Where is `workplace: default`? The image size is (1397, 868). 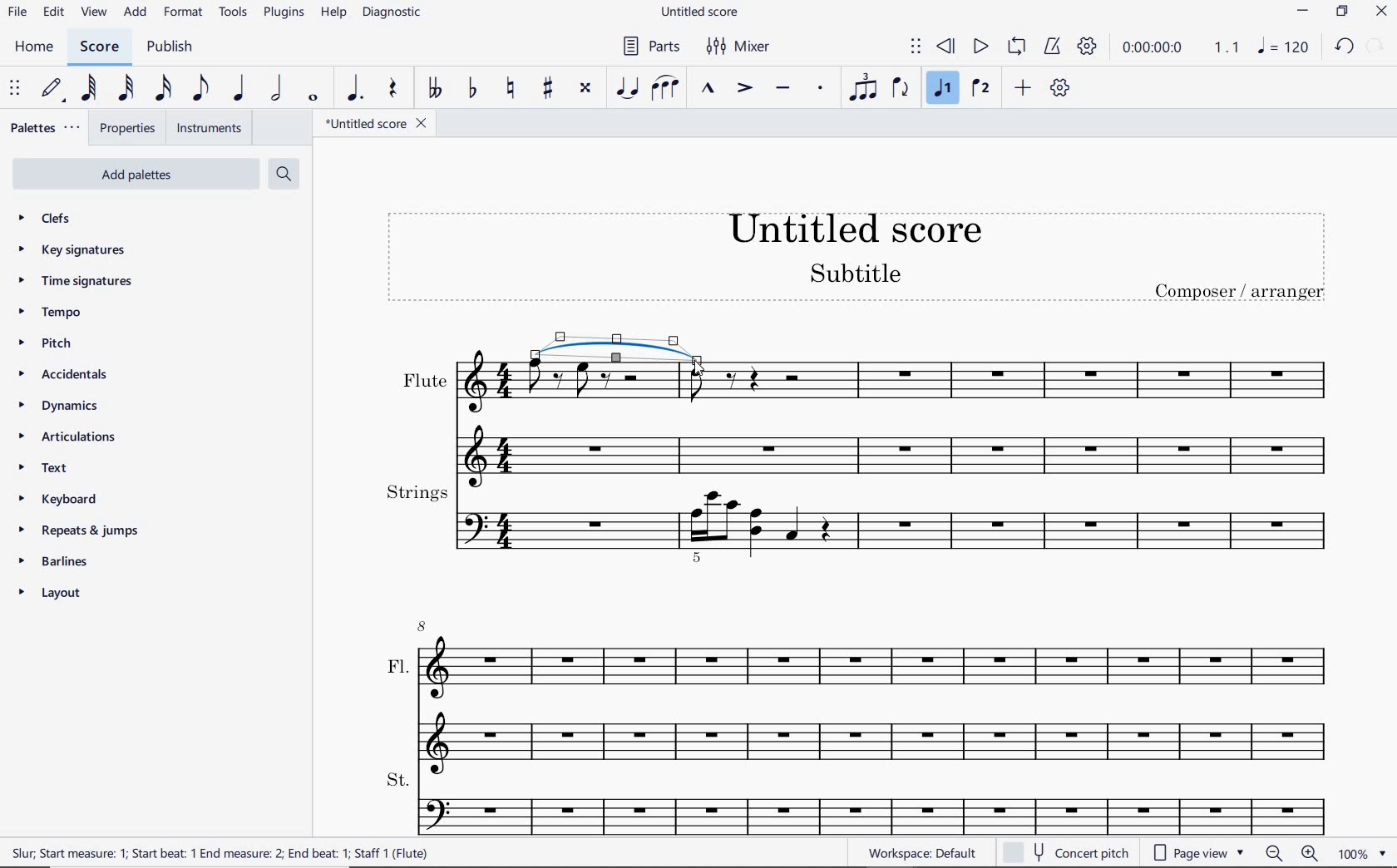 workplace: default is located at coordinates (926, 855).